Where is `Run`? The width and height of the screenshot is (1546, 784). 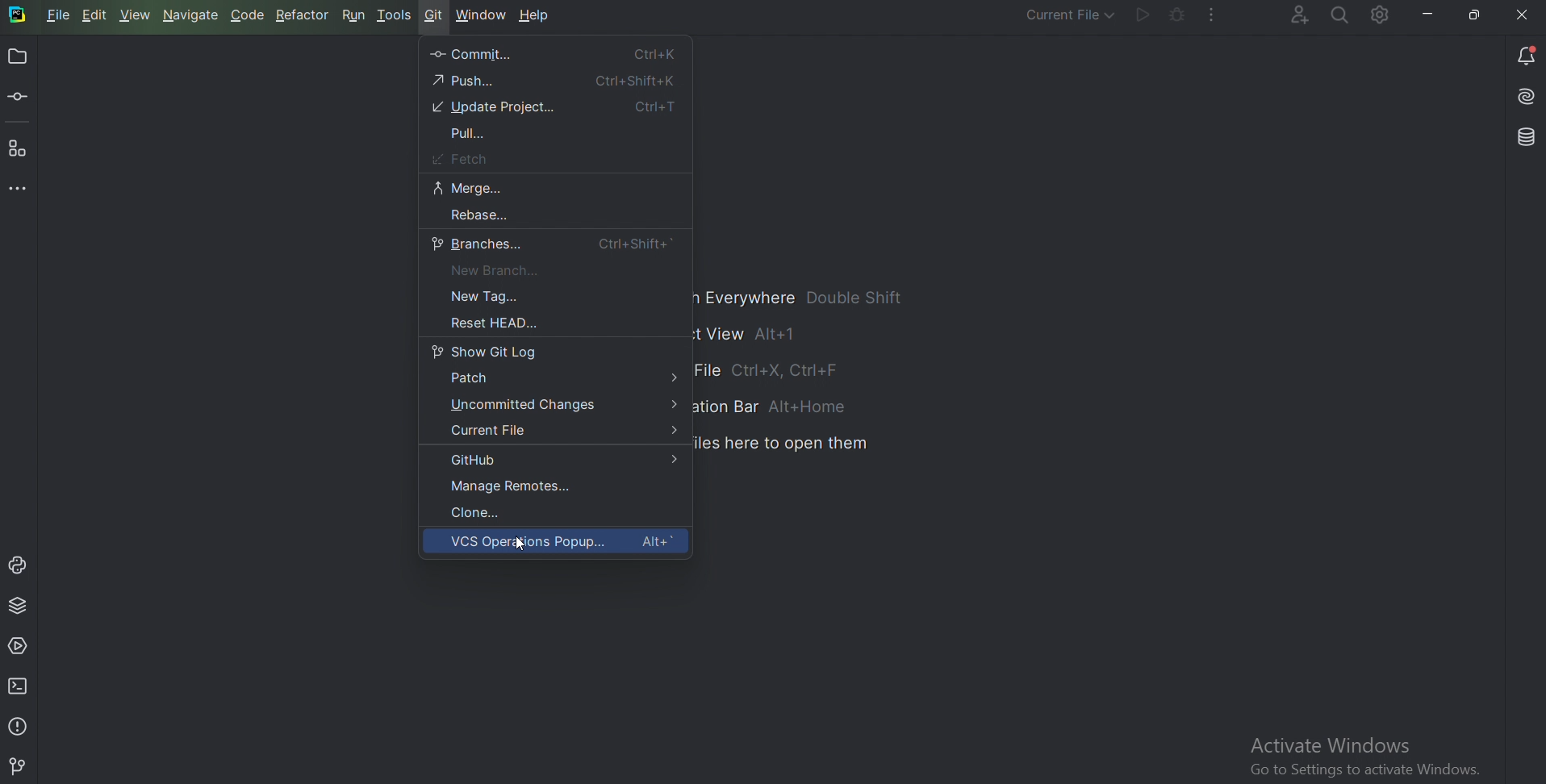 Run is located at coordinates (1138, 17).